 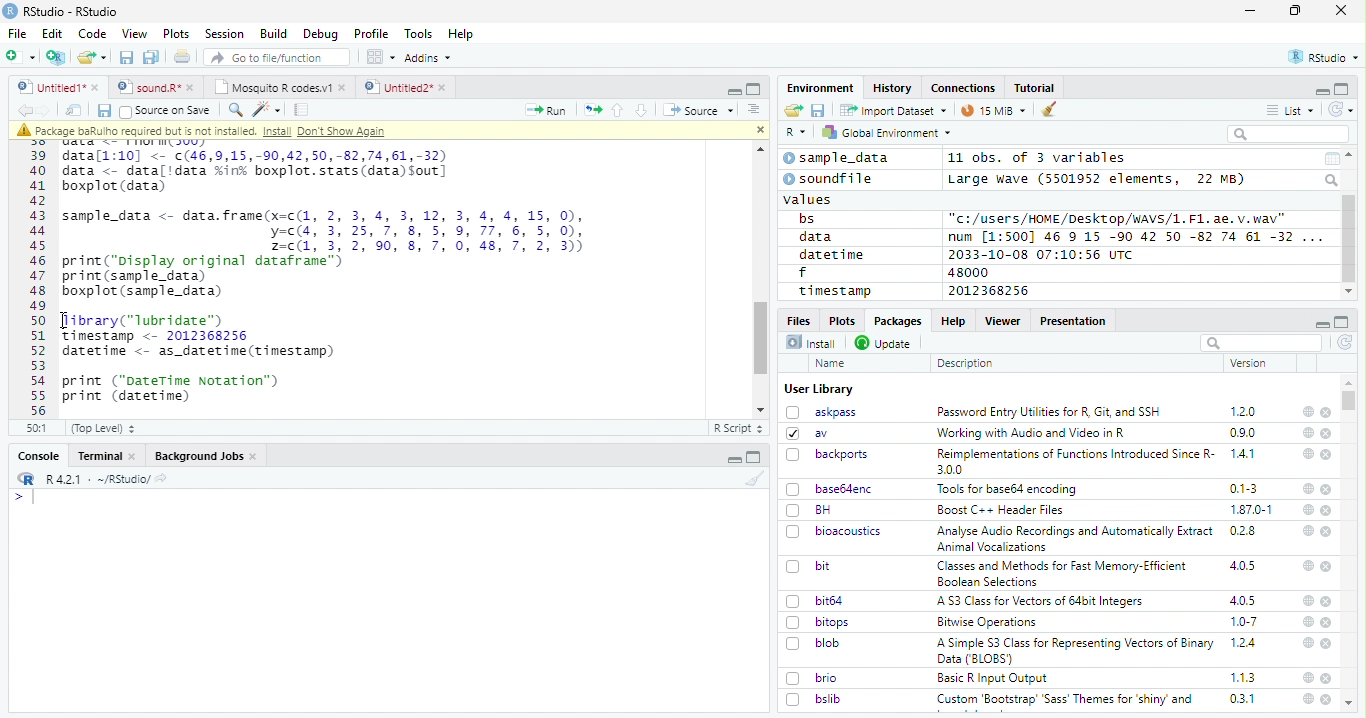 I want to click on f, so click(x=803, y=273).